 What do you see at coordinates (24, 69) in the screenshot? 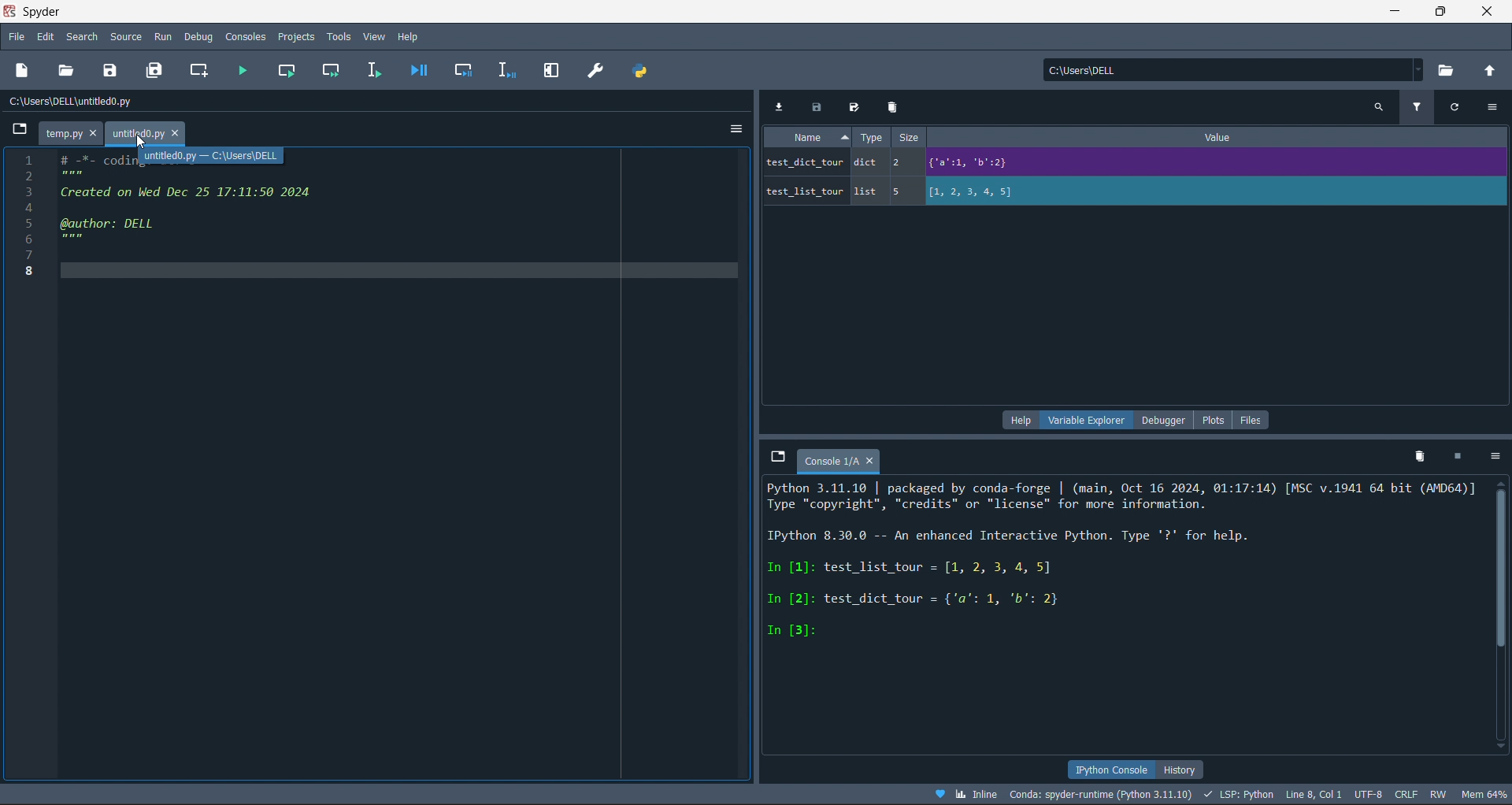
I see `new file` at bounding box center [24, 69].